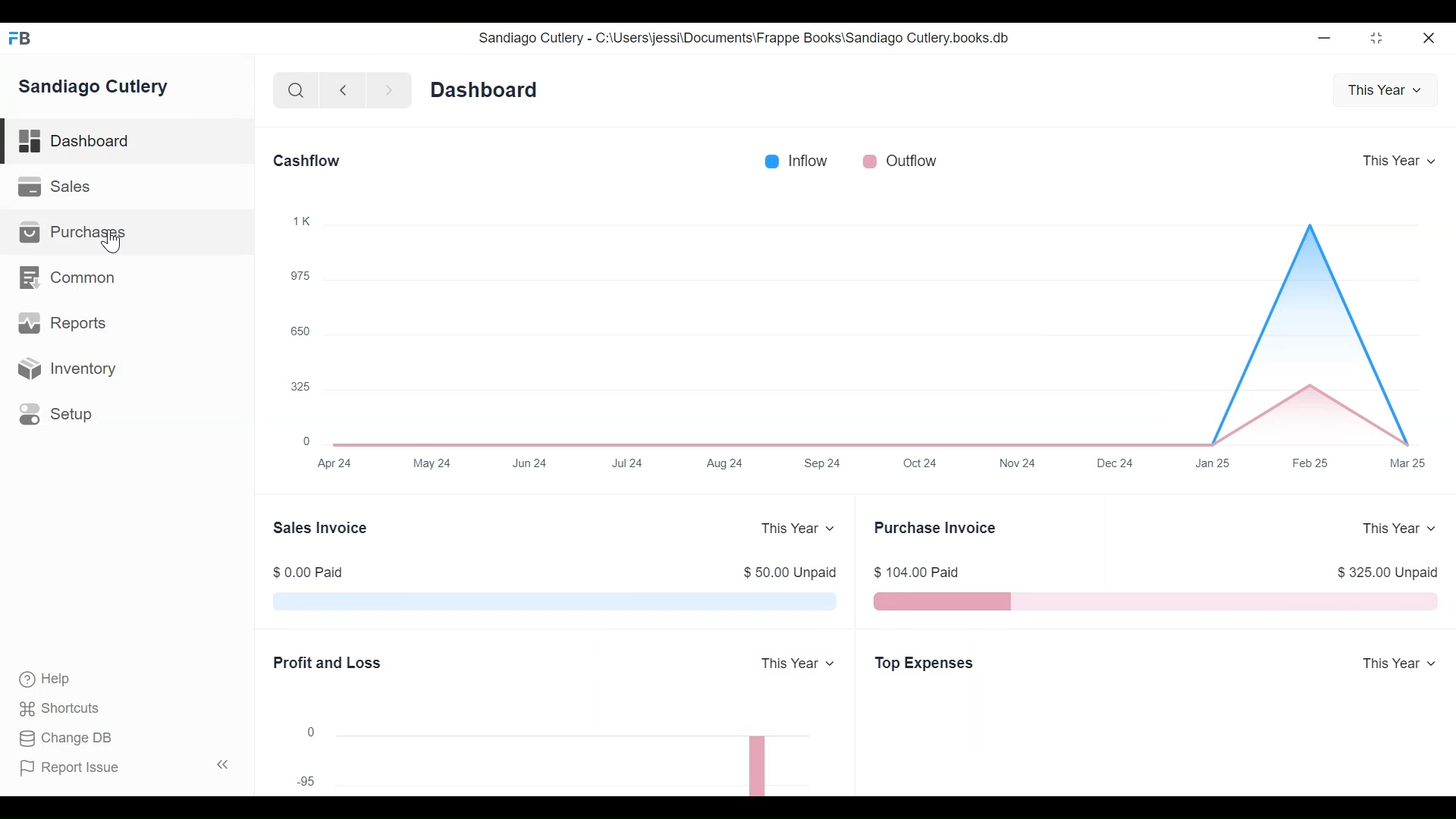 Image resolution: width=1456 pixels, height=819 pixels. Describe the element at coordinates (72, 279) in the screenshot. I see `Common` at that location.